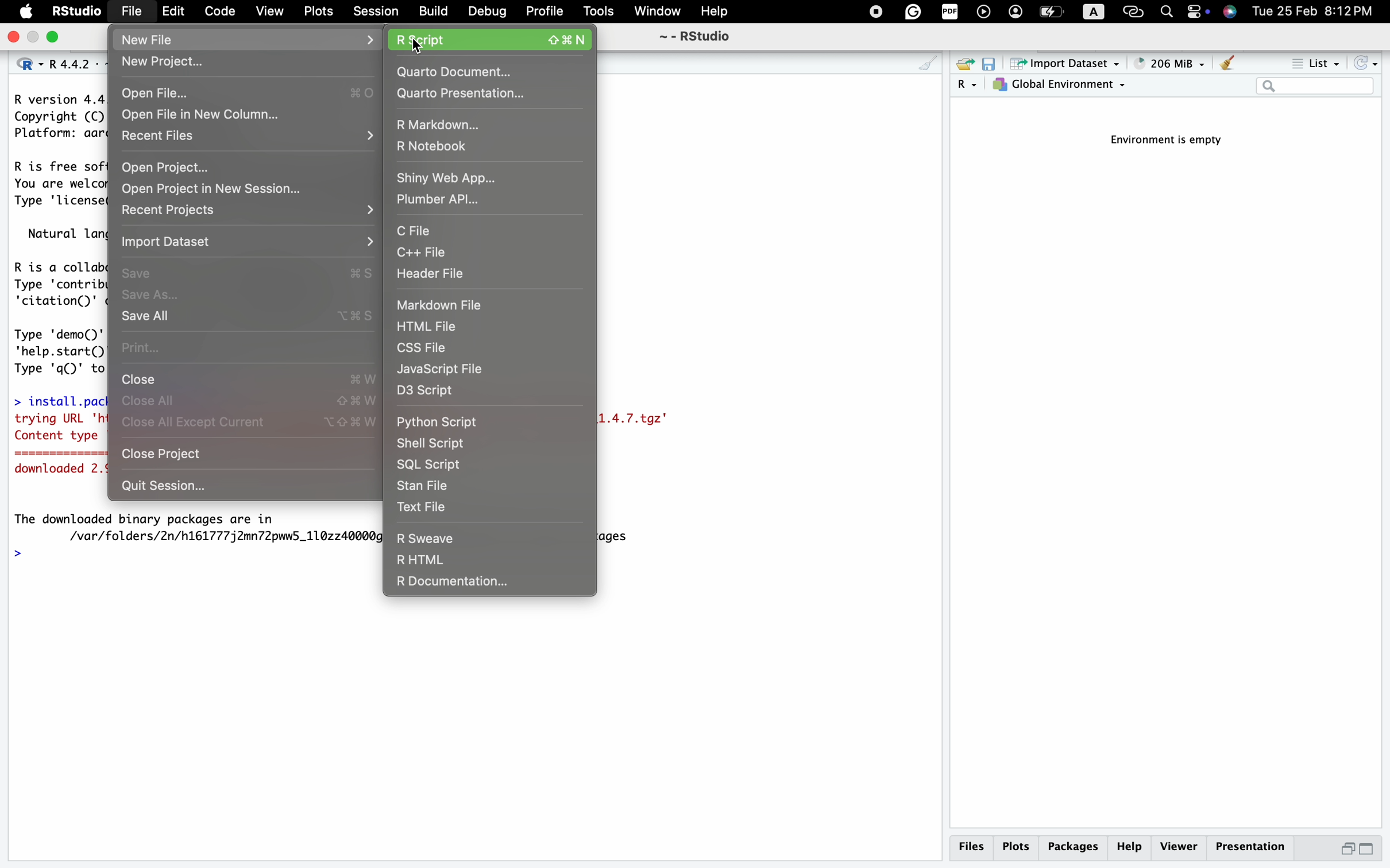 The image size is (1390, 868). What do you see at coordinates (993, 65) in the screenshot?
I see `save workspace as` at bounding box center [993, 65].